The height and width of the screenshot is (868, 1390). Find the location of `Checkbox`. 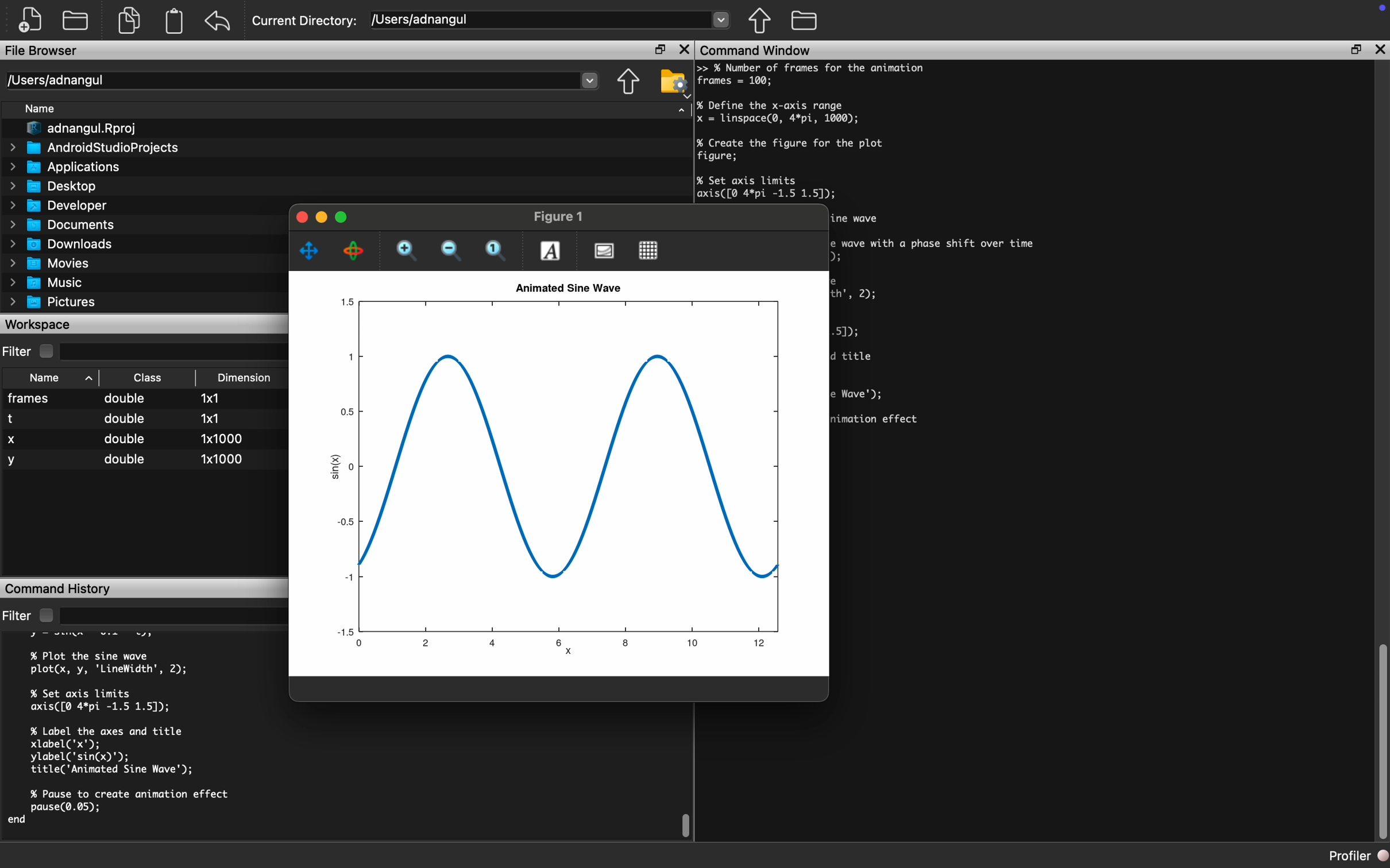

Checkbox is located at coordinates (47, 351).